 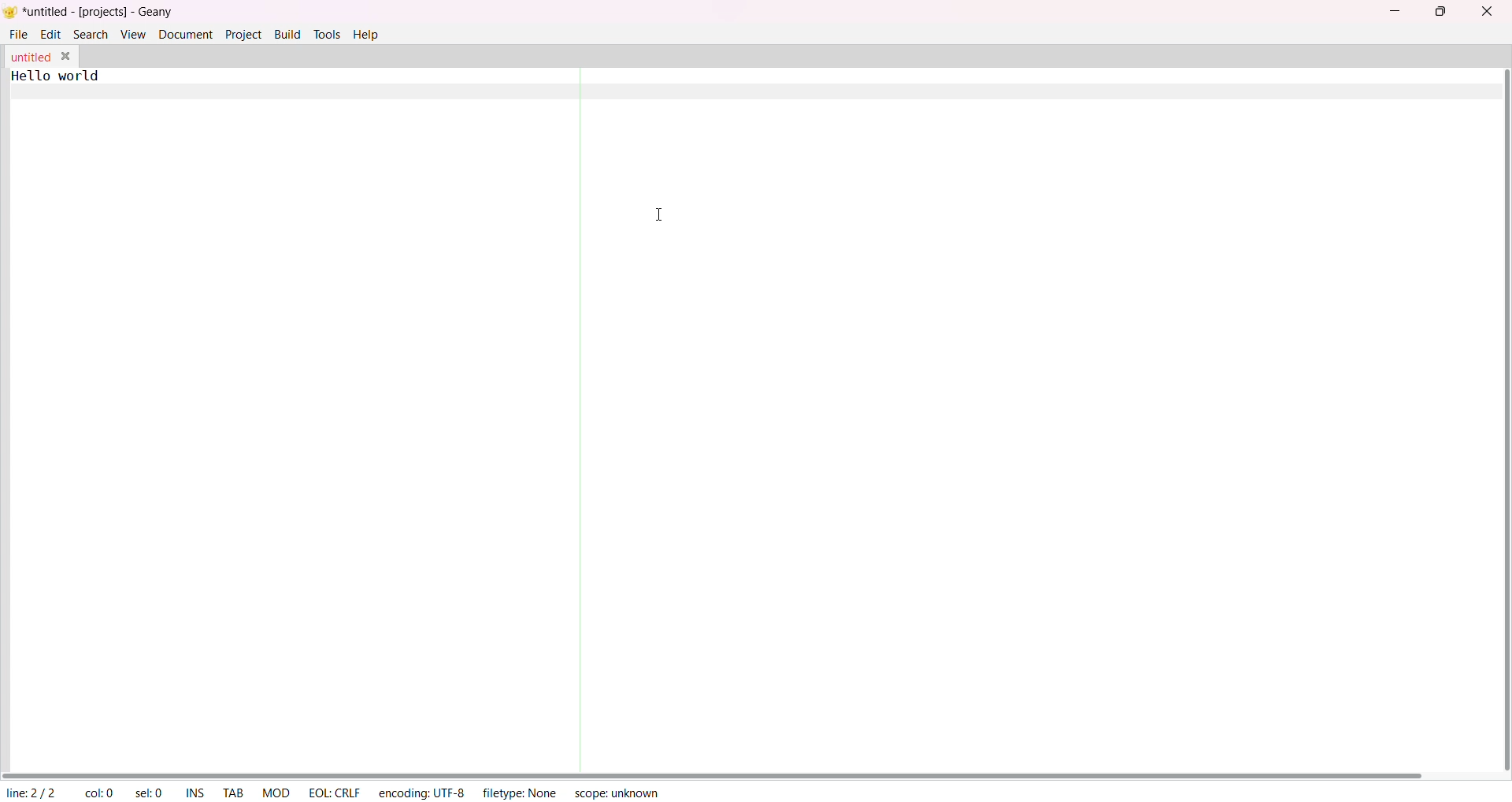 What do you see at coordinates (10, 13) in the screenshot?
I see `logo` at bounding box center [10, 13].